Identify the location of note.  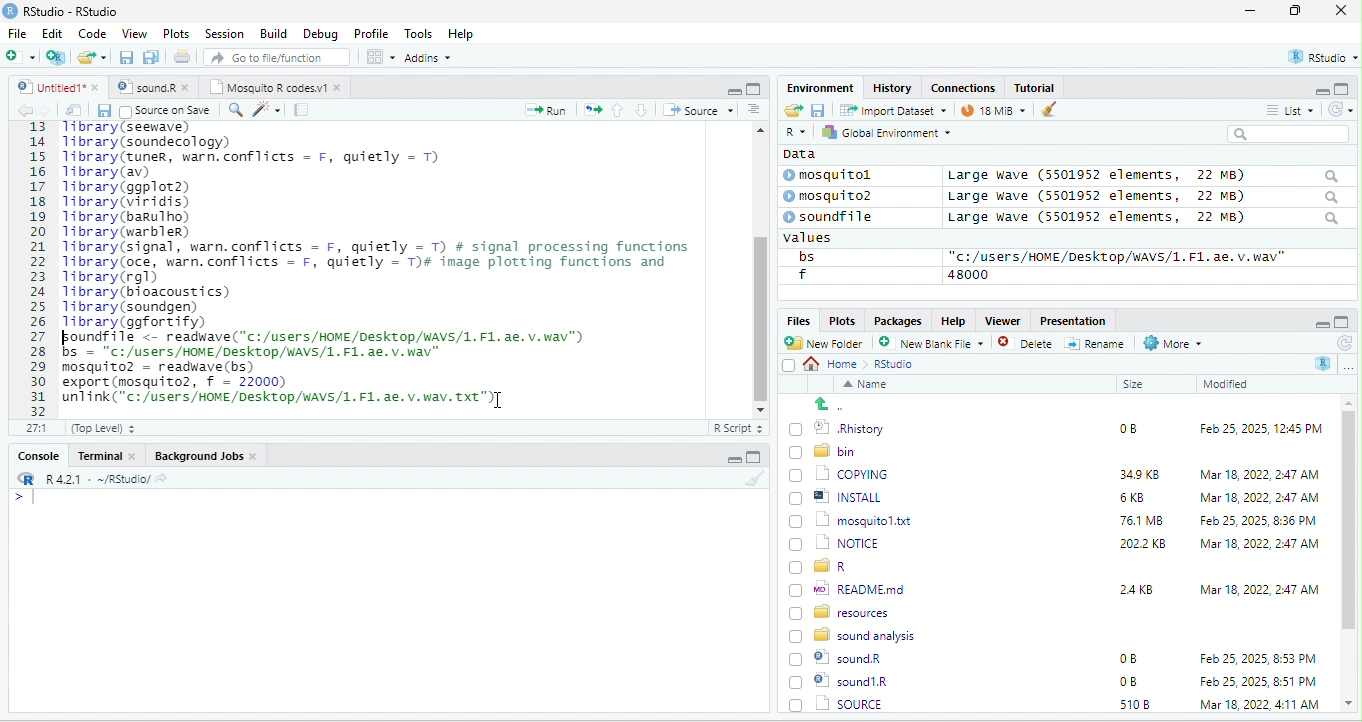
(302, 109).